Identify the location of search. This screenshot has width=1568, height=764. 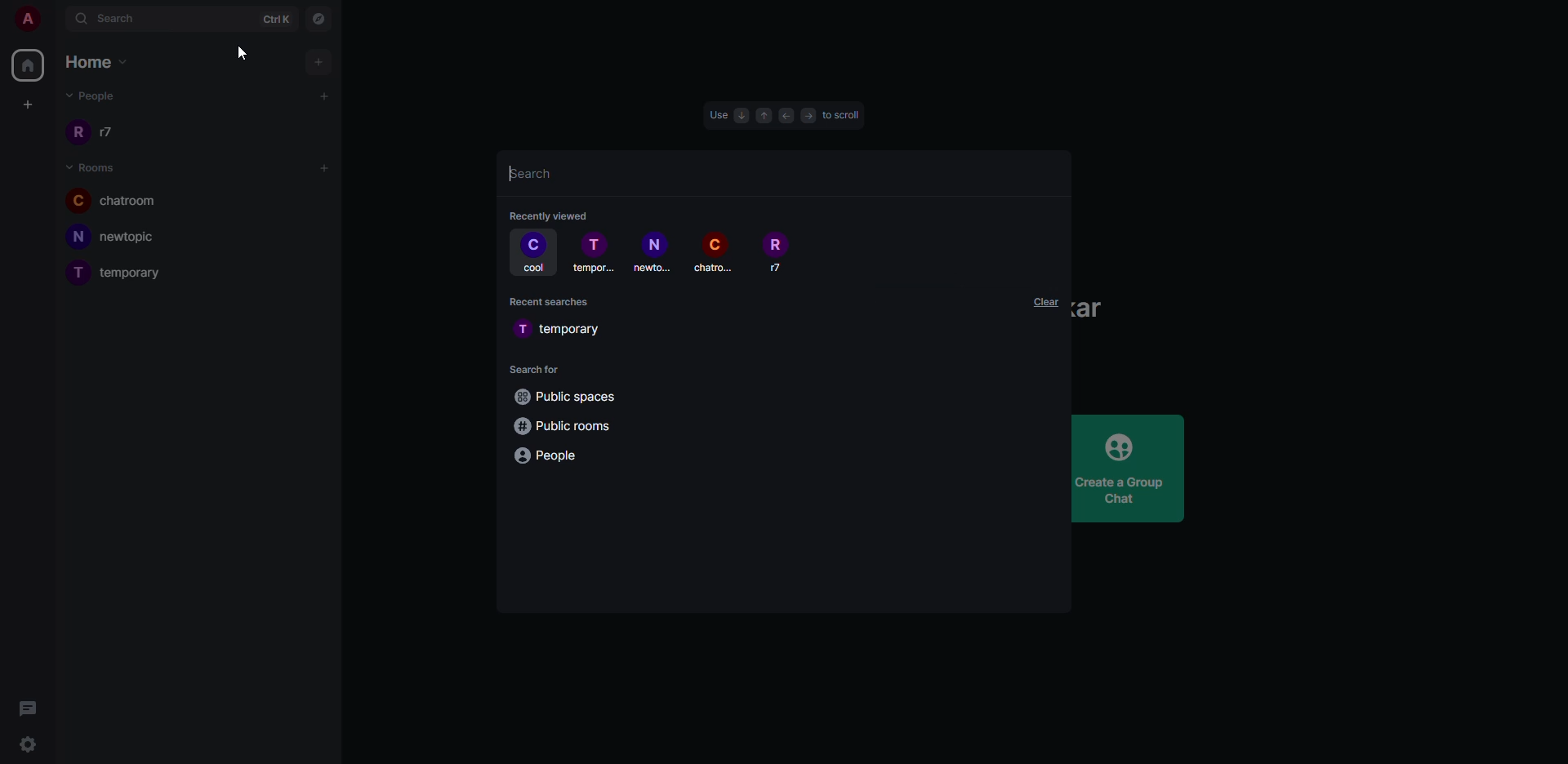
(112, 18).